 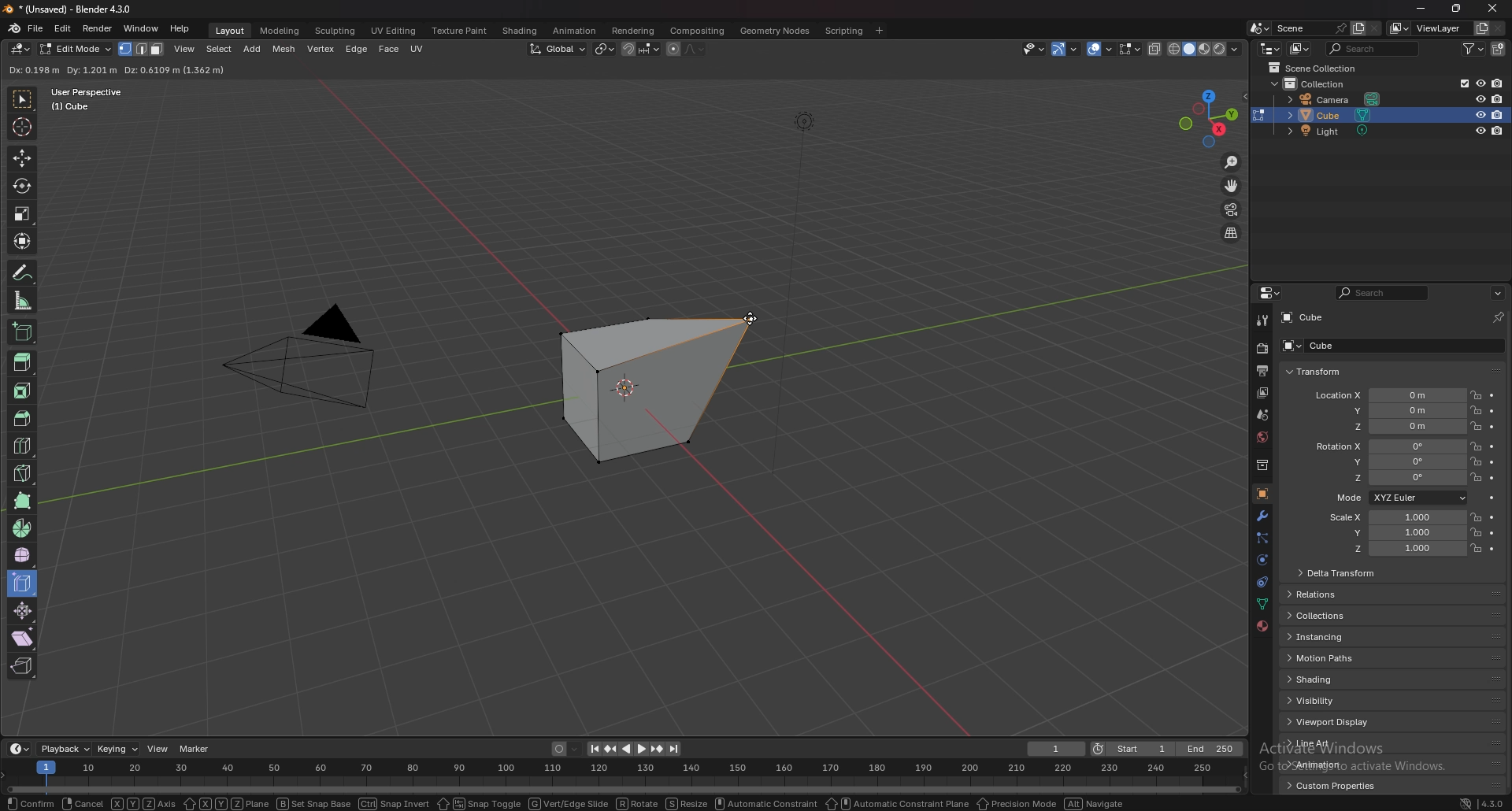 I want to click on help, so click(x=180, y=30).